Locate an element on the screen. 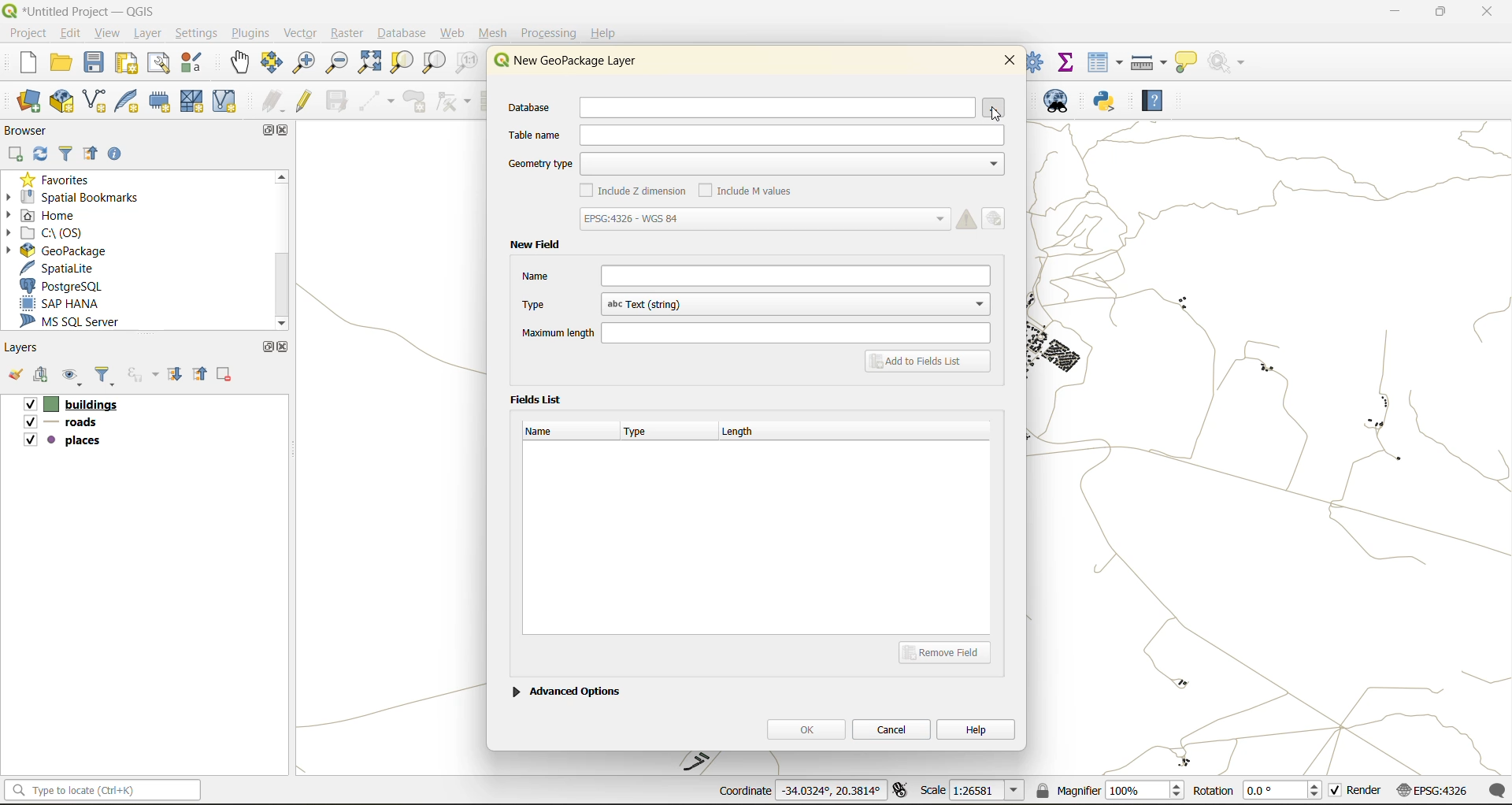 Image resolution: width=1512 pixels, height=805 pixels. close is located at coordinates (1010, 59).